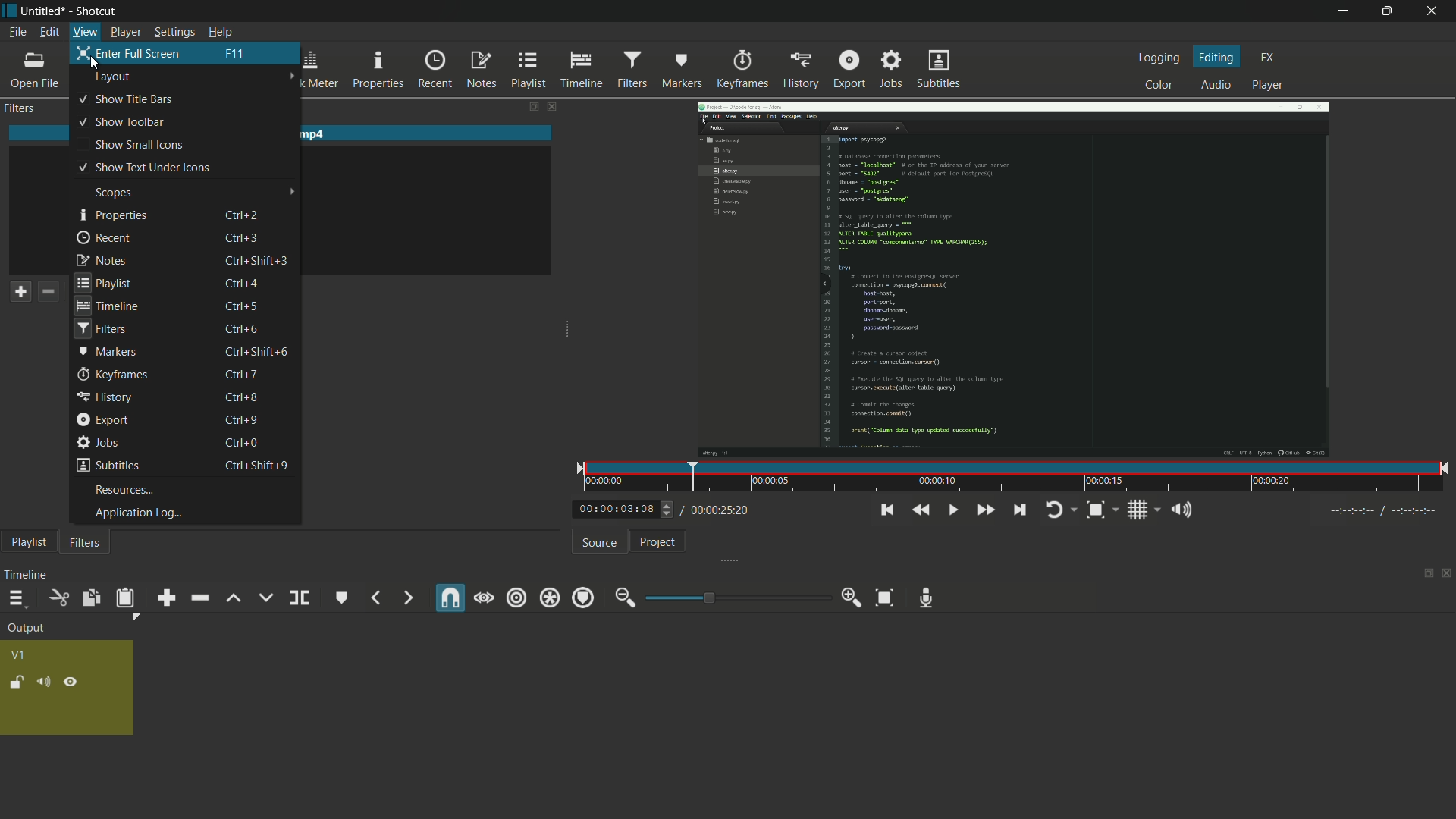 This screenshot has width=1456, height=819. I want to click on show text under icons, so click(147, 168).